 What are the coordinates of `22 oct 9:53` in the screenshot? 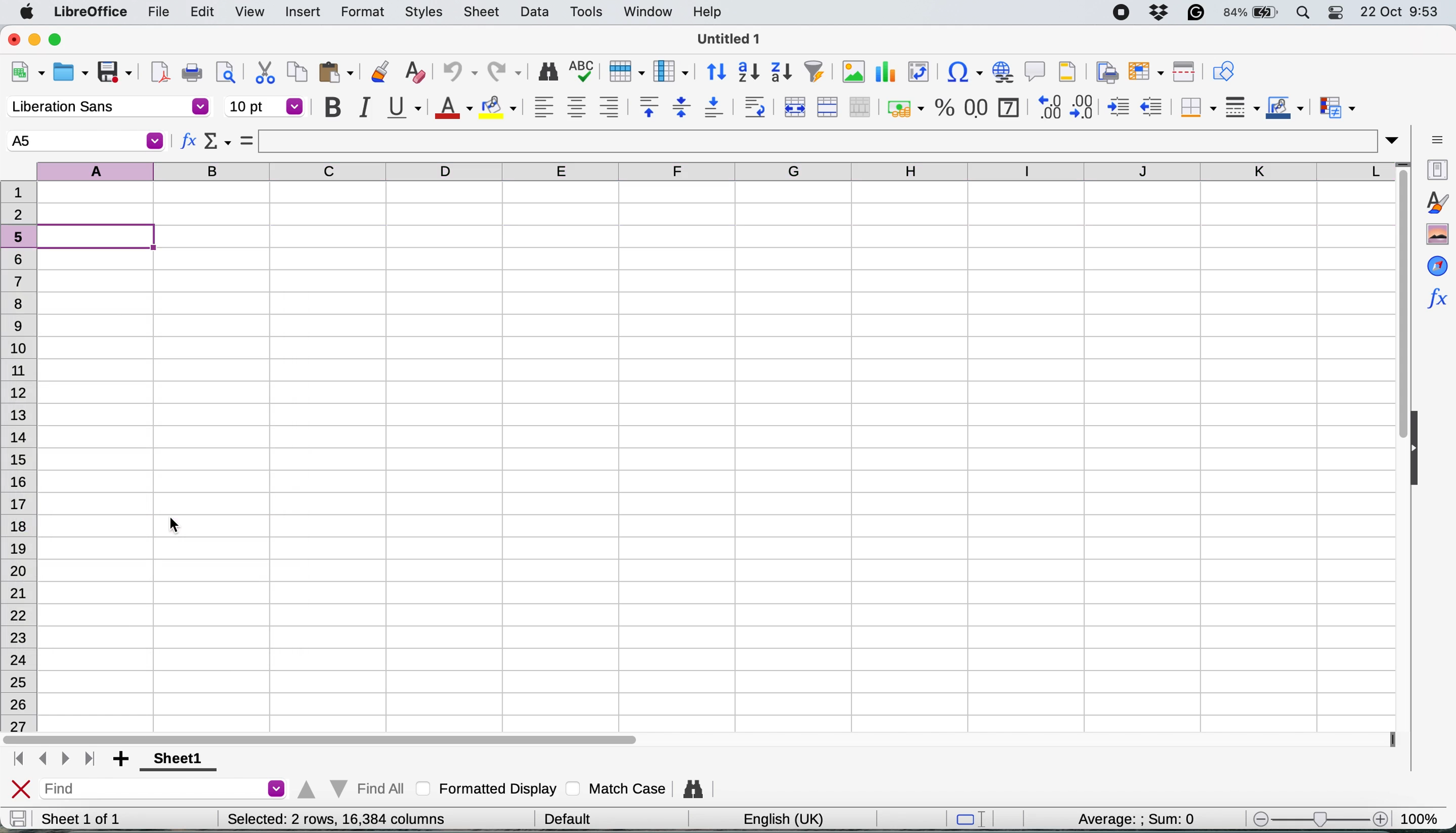 It's located at (1398, 13).